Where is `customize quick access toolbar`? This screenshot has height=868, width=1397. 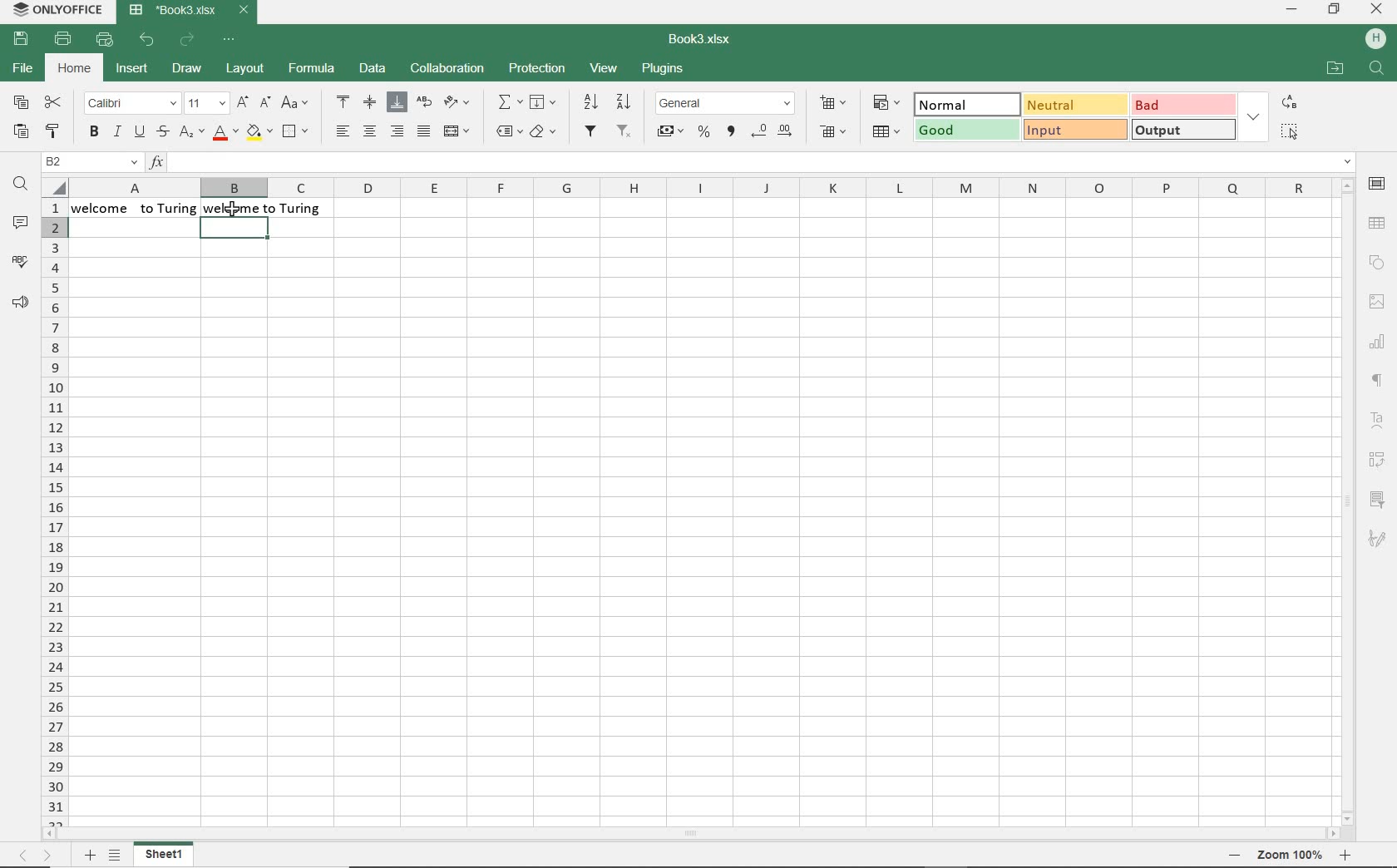
customize quick access toolbar is located at coordinates (230, 40).